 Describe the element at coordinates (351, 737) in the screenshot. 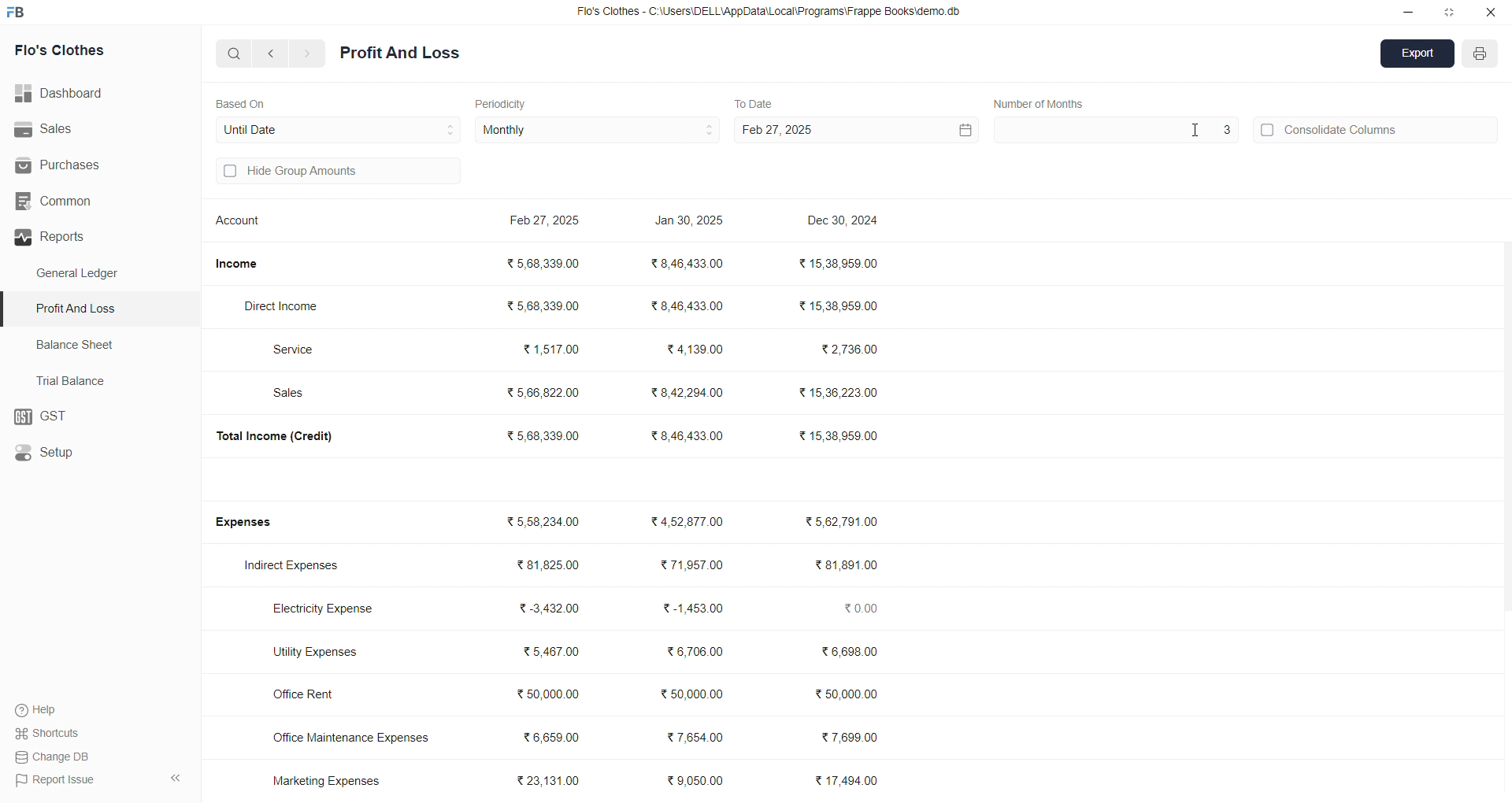

I see `Office Maintenance Expenses` at that location.